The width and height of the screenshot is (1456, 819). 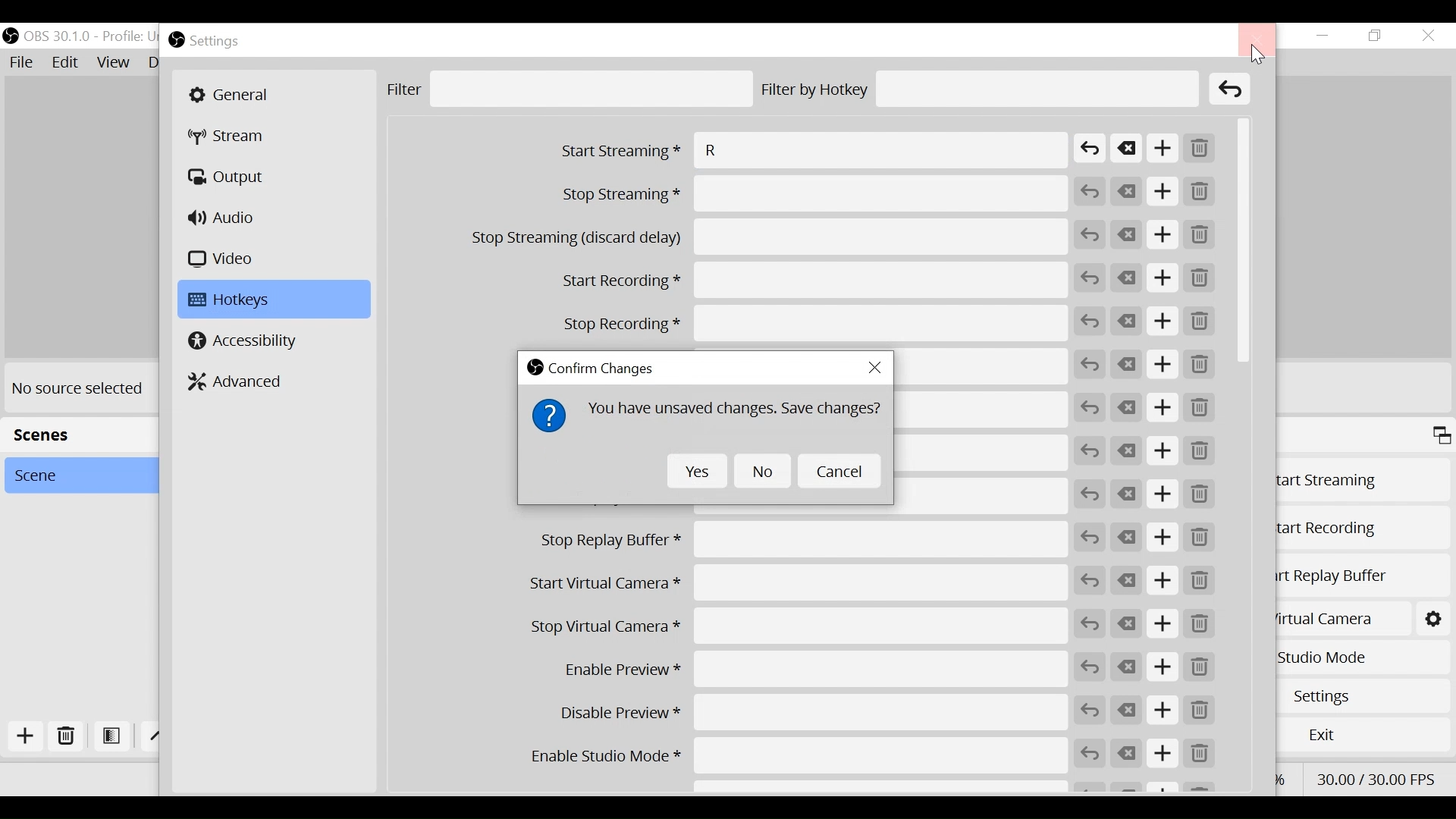 What do you see at coordinates (1199, 151) in the screenshot?
I see `Remove` at bounding box center [1199, 151].